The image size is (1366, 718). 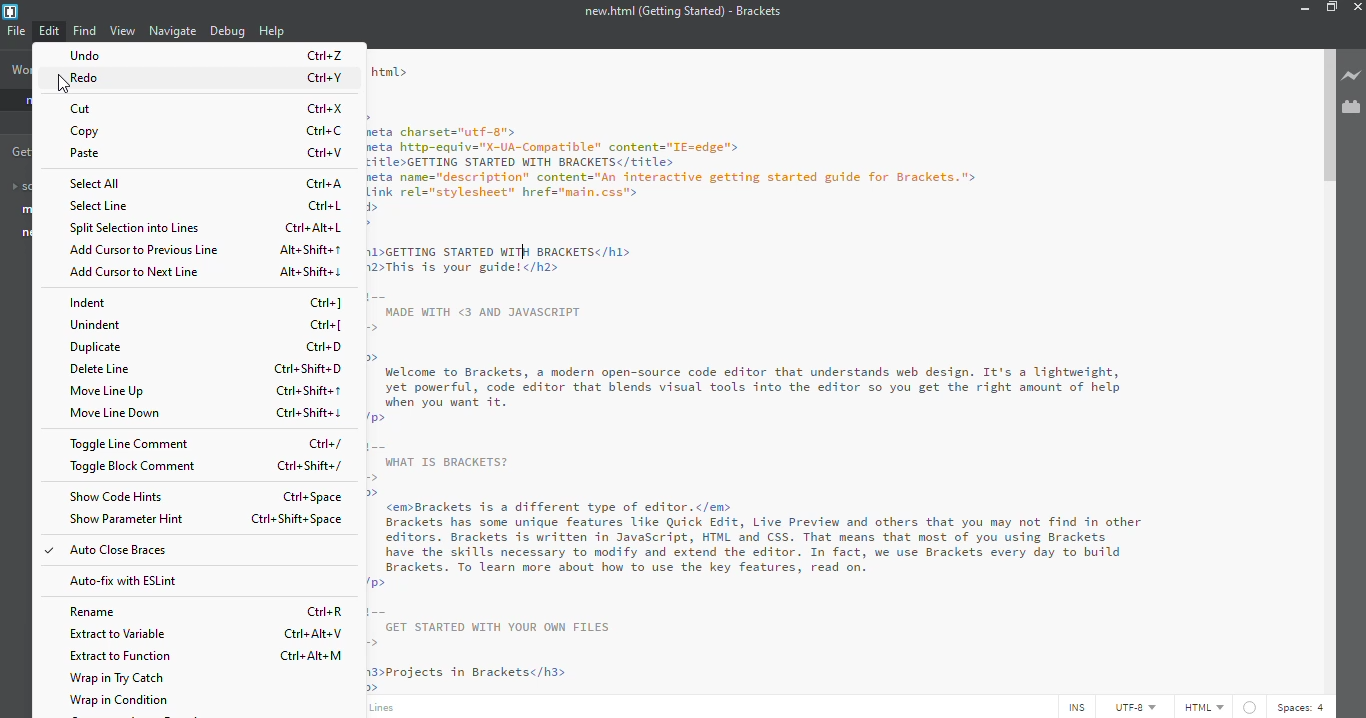 I want to click on ctrl+z, so click(x=327, y=55).